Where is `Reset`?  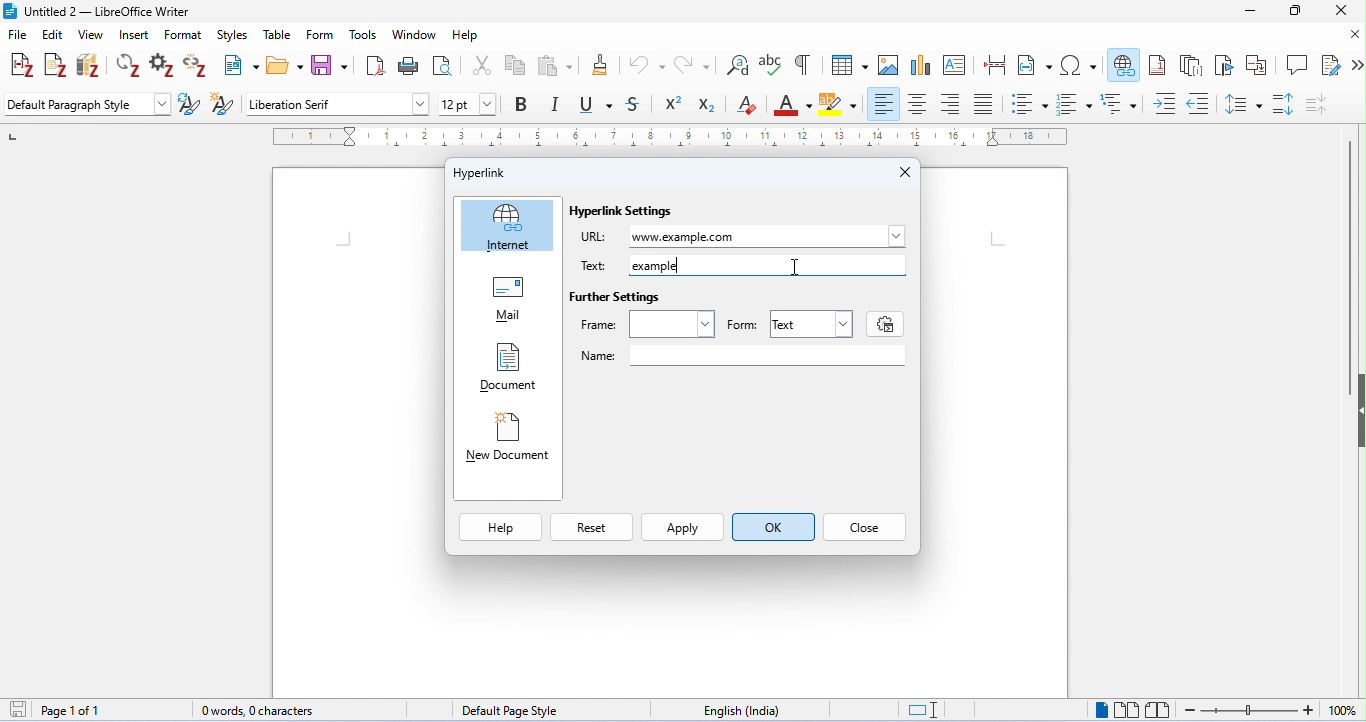
Reset is located at coordinates (598, 525).